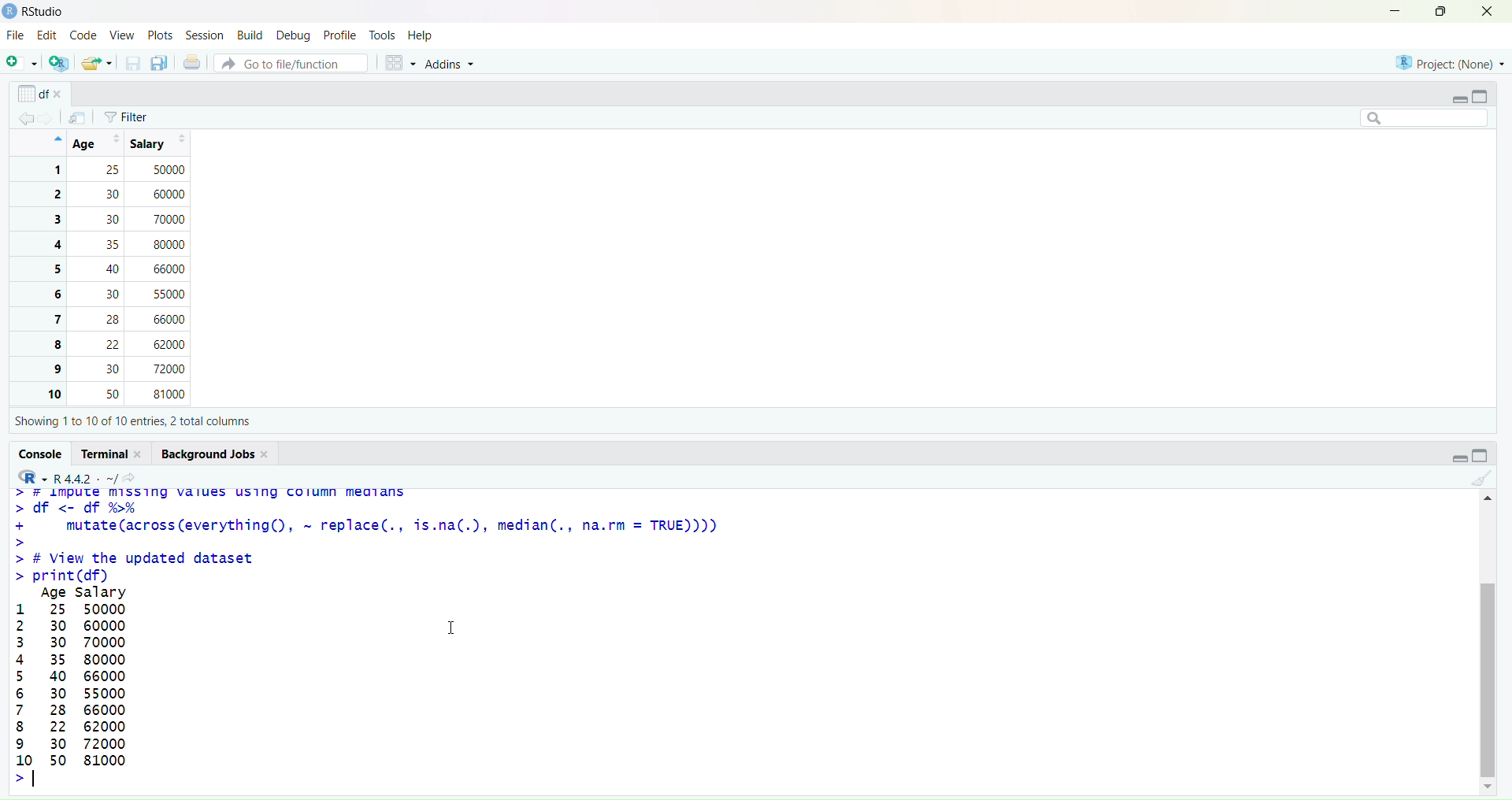  What do you see at coordinates (1449, 61) in the screenshot?
I see `project(None)` at bounding box center [1449, 61].